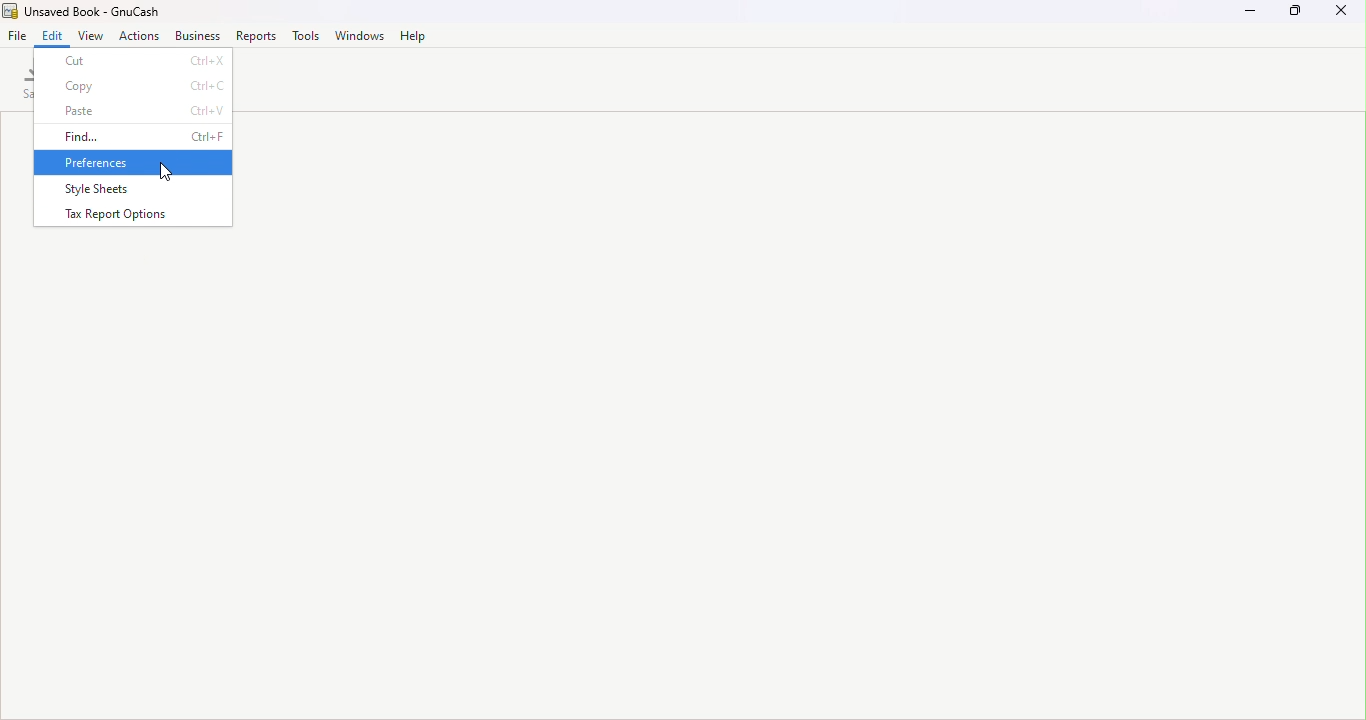  I want to click on Copy, so click(133, 84).